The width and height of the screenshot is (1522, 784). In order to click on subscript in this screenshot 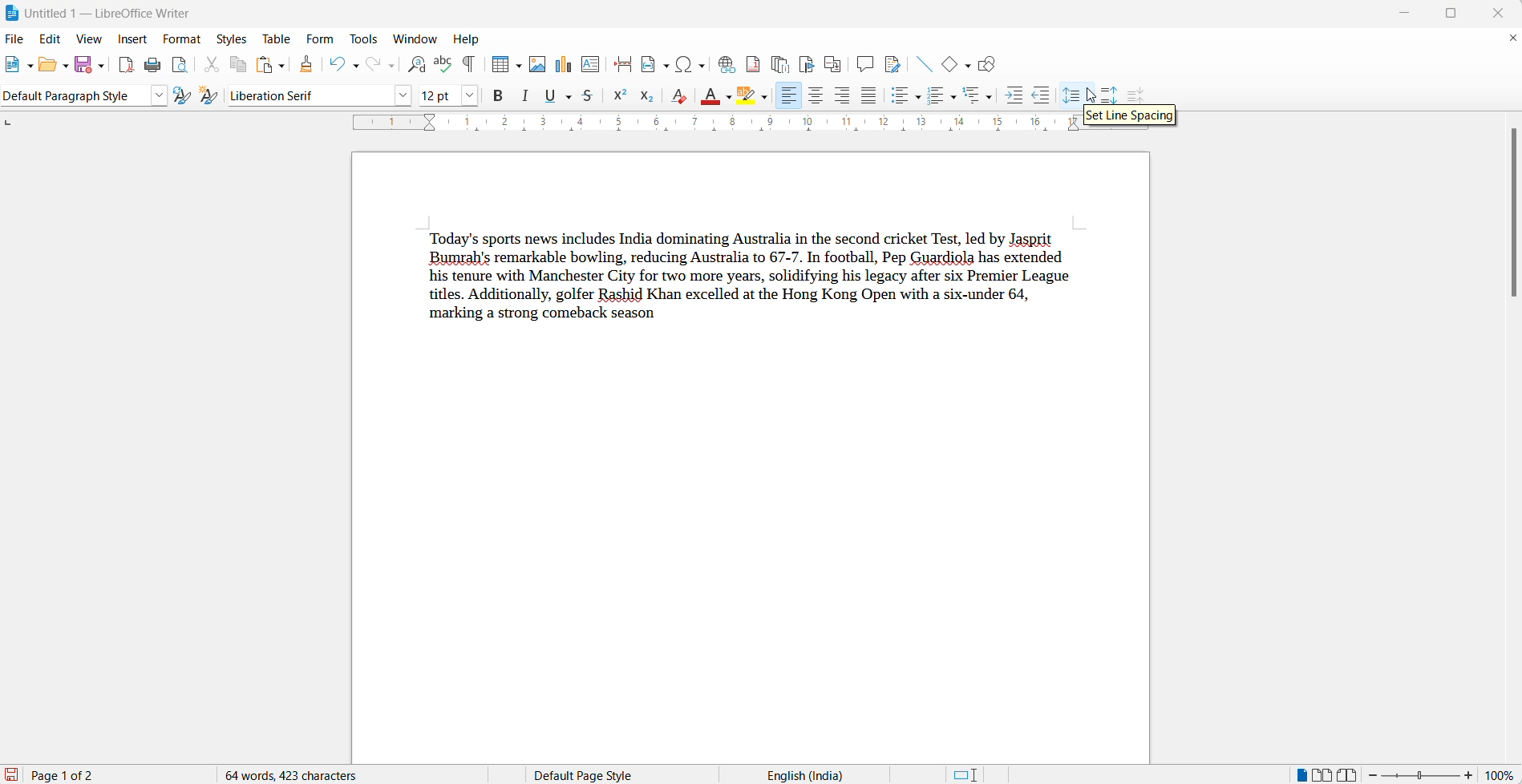, I will do `click(650, 95)`.